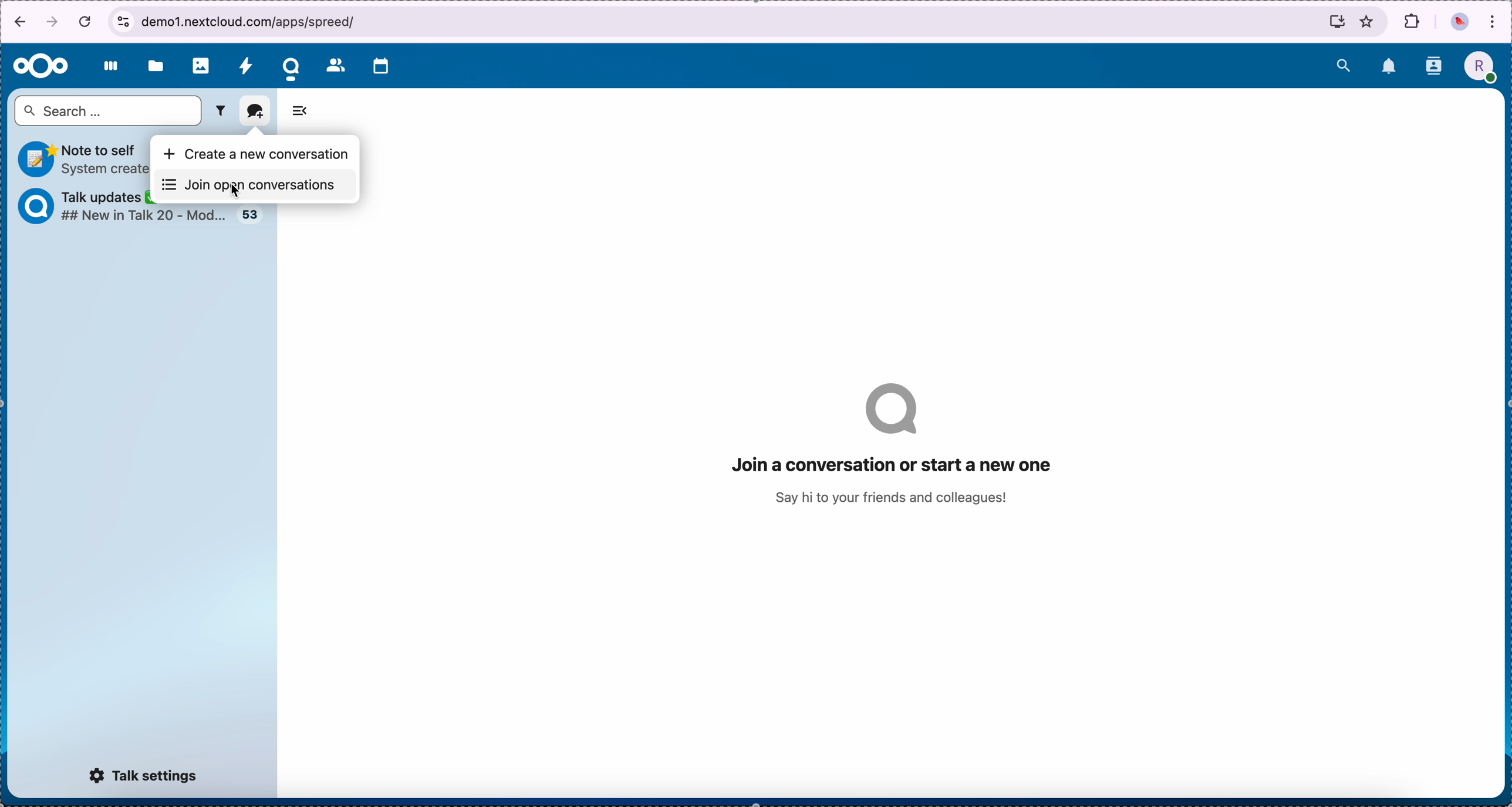 The image size is (1512, 807). Describe the element at coordinates (897, 450) in the screenshot. I see `join a conversation or start a new one` at that location.